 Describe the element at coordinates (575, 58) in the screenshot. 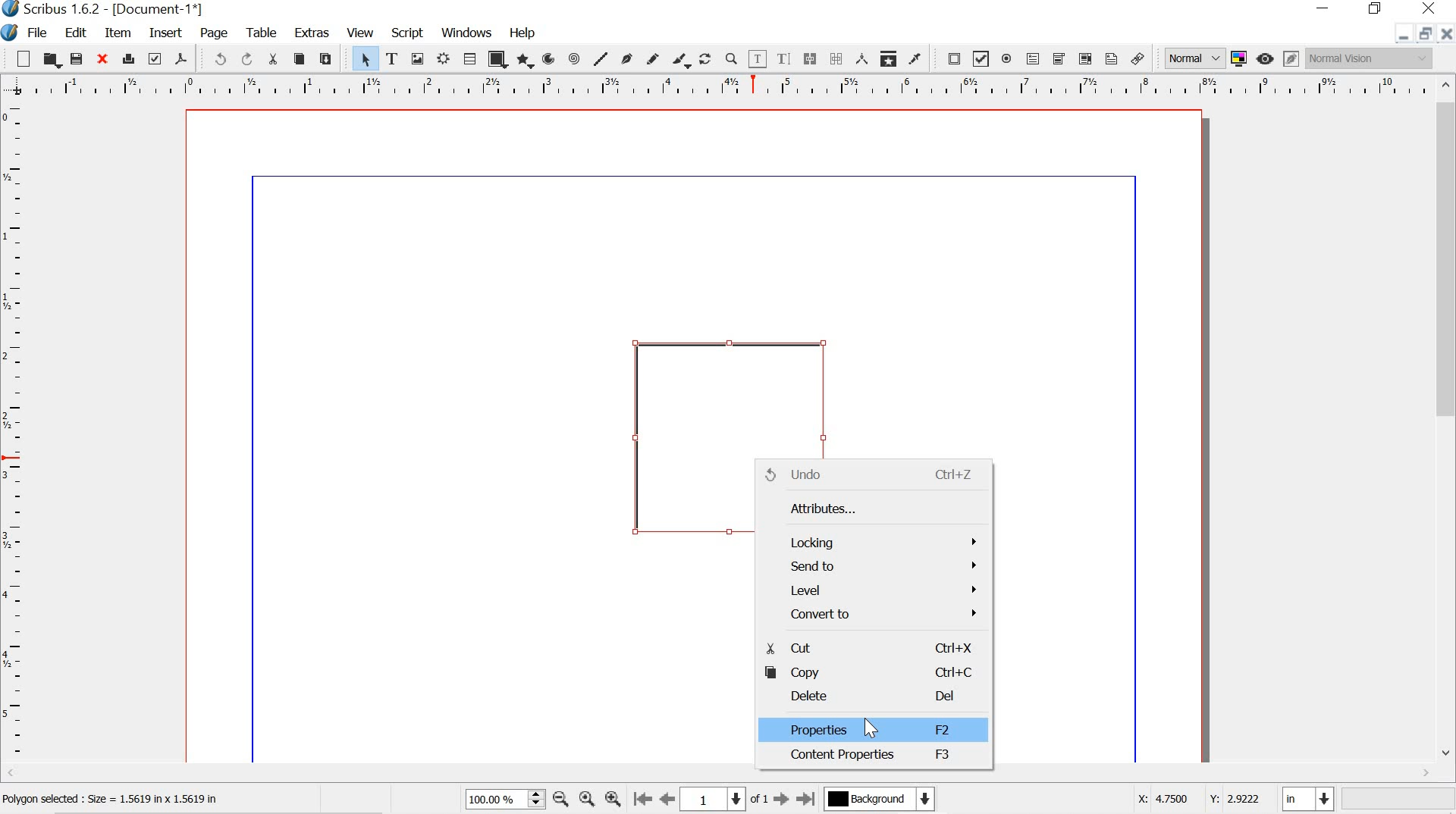

I see `spiral` at that location.